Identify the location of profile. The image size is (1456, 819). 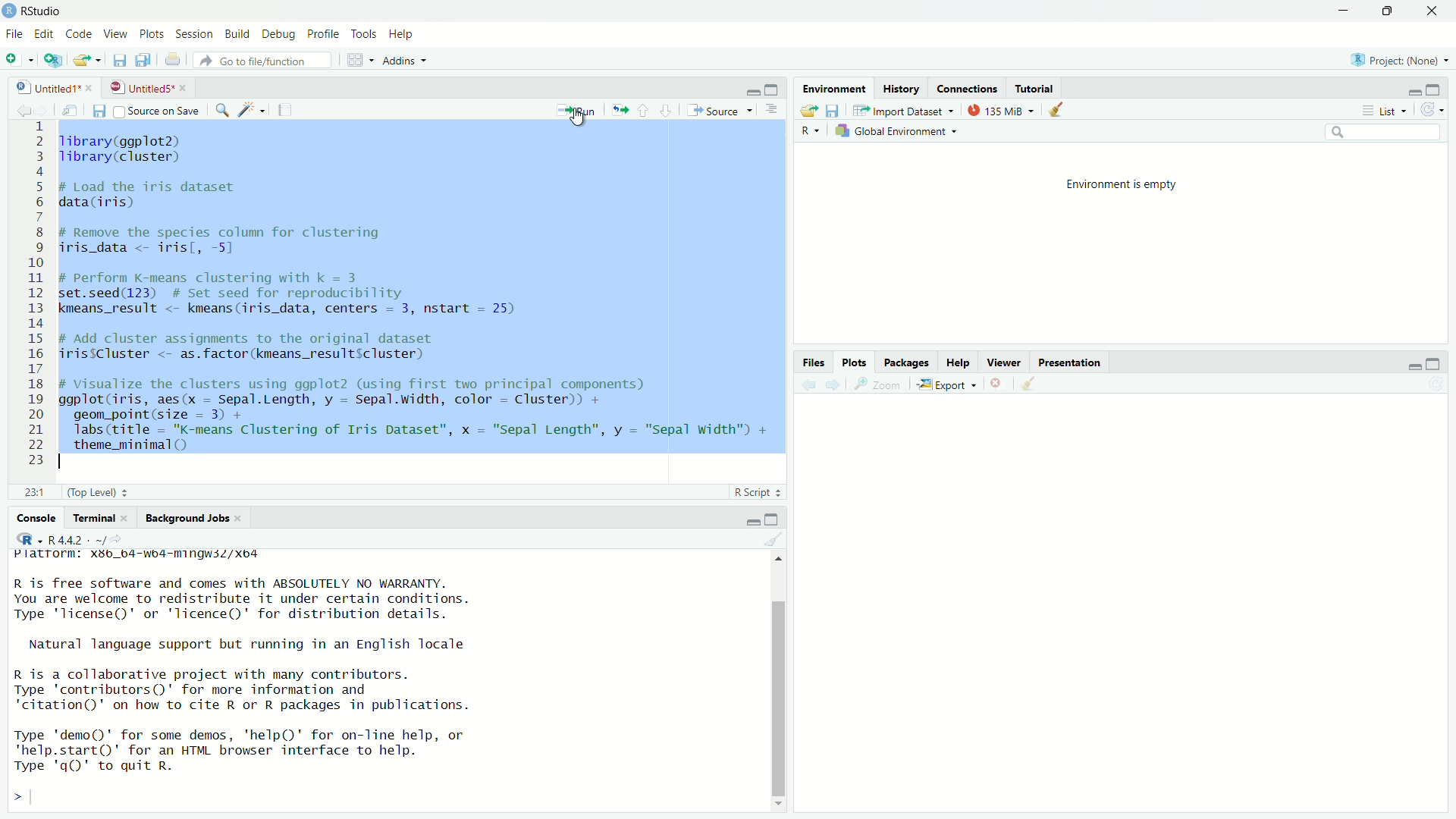
(325, 33).